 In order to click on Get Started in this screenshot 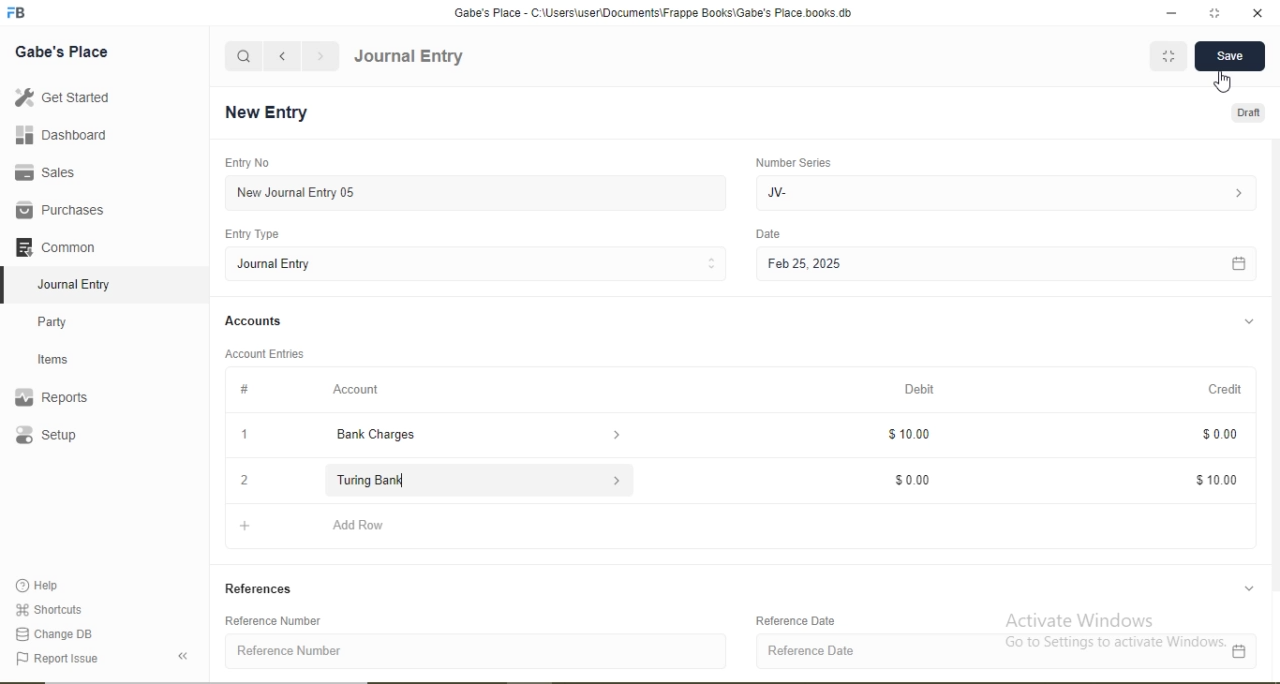, I will do `click(60, 97)`.